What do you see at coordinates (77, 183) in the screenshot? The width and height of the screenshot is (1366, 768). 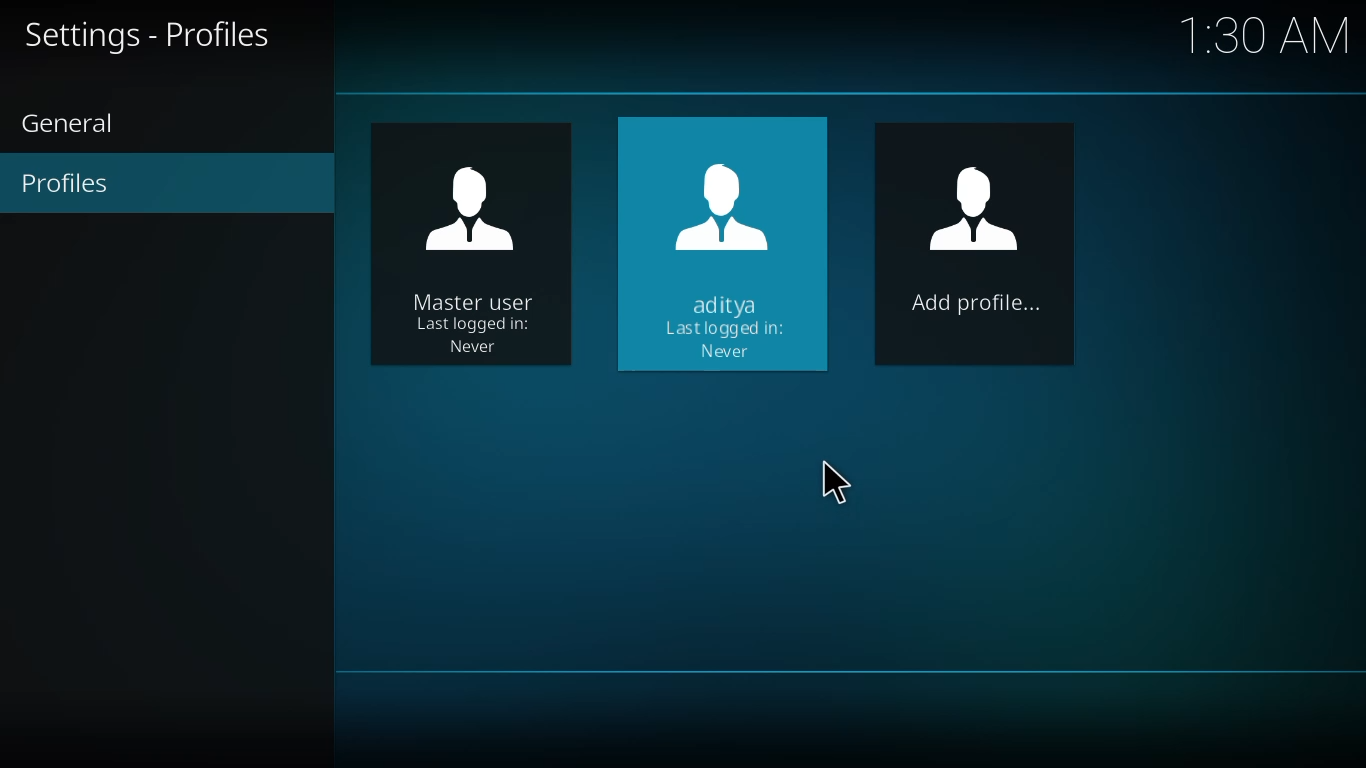 I see `profiles` at bounding box center [77, 183].